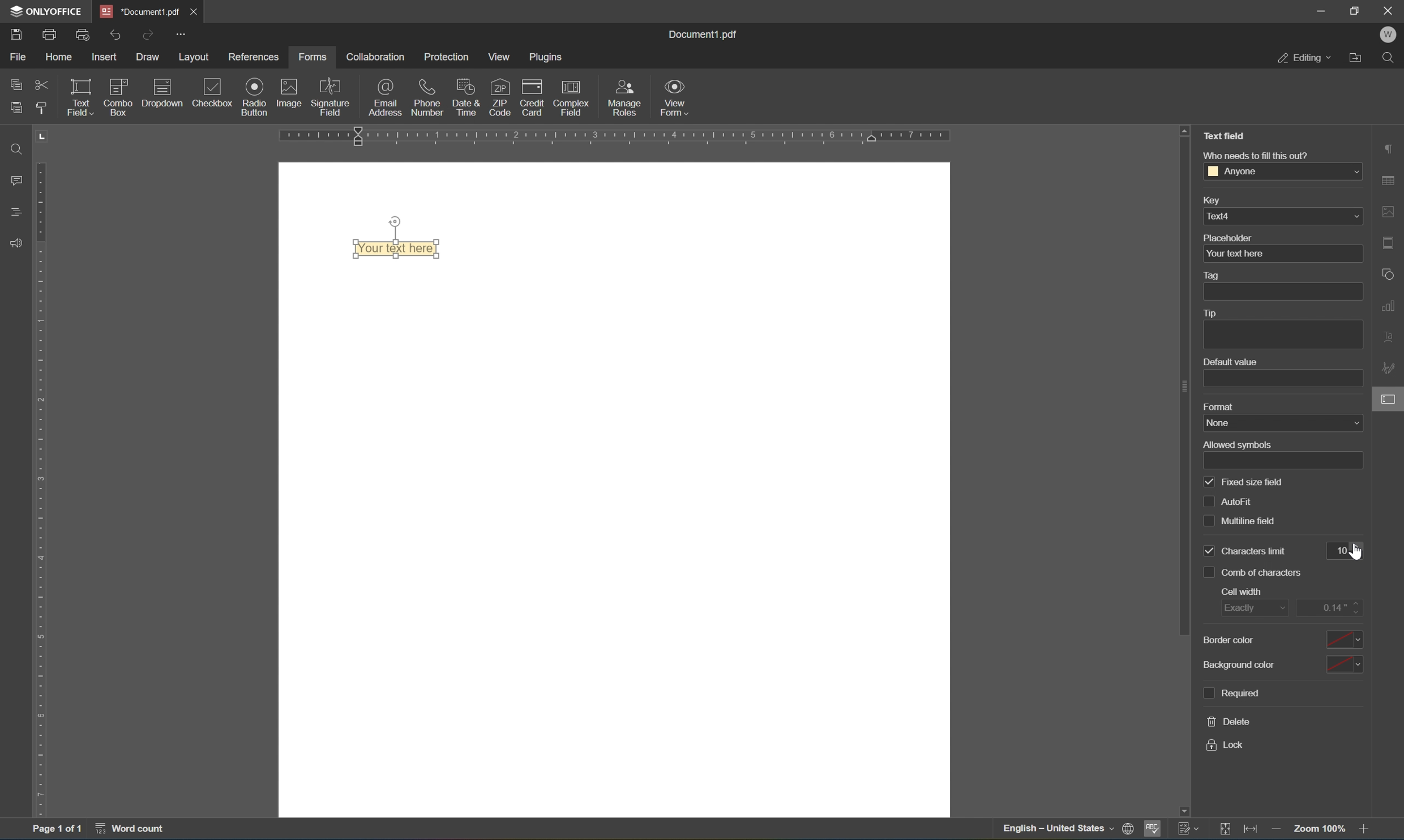 This screenshot has width=1404, height=840. I want to click on cursor, so click(1358, 554).